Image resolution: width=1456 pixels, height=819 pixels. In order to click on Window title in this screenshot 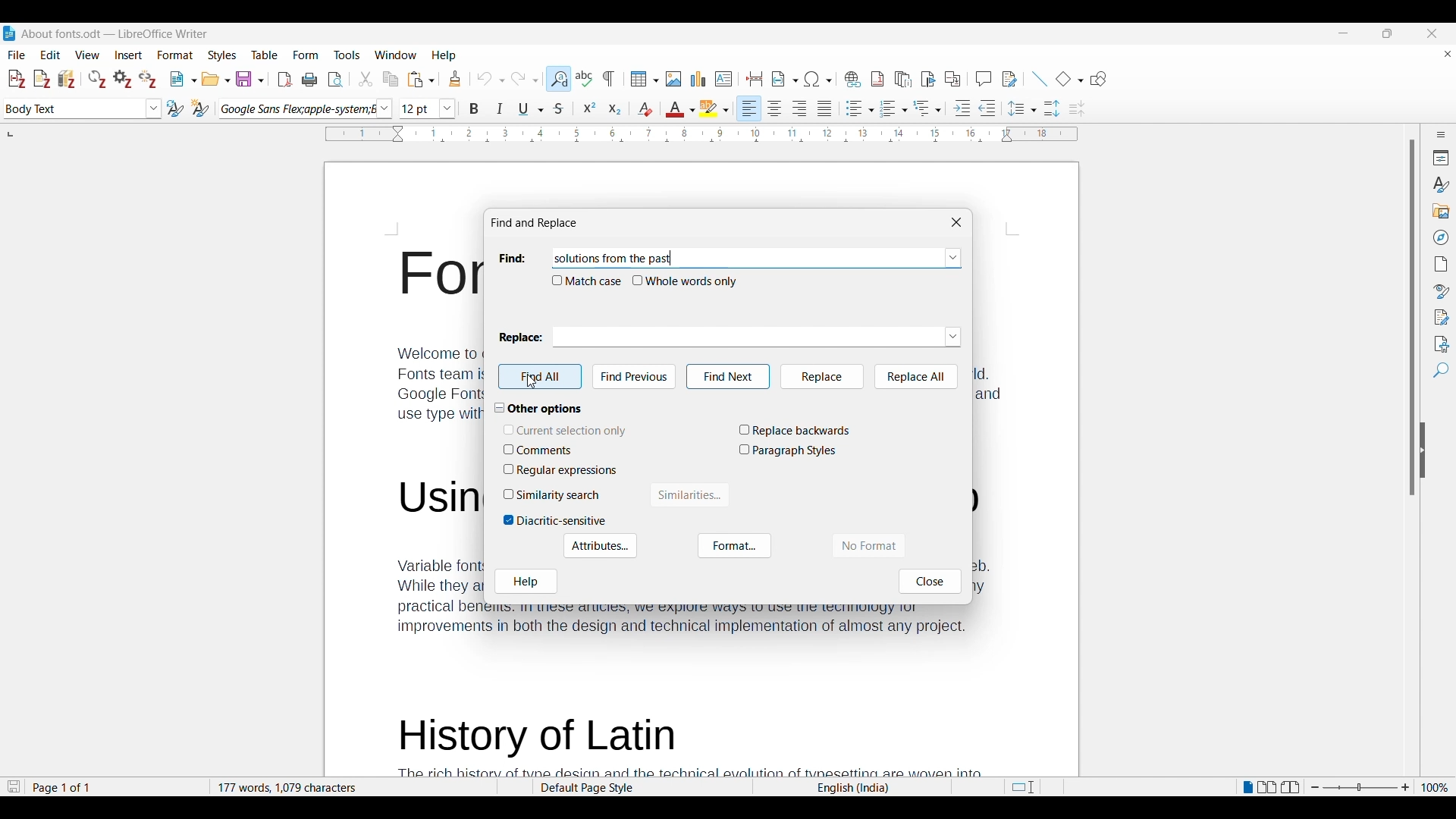, I will do `click(535, 223)`.